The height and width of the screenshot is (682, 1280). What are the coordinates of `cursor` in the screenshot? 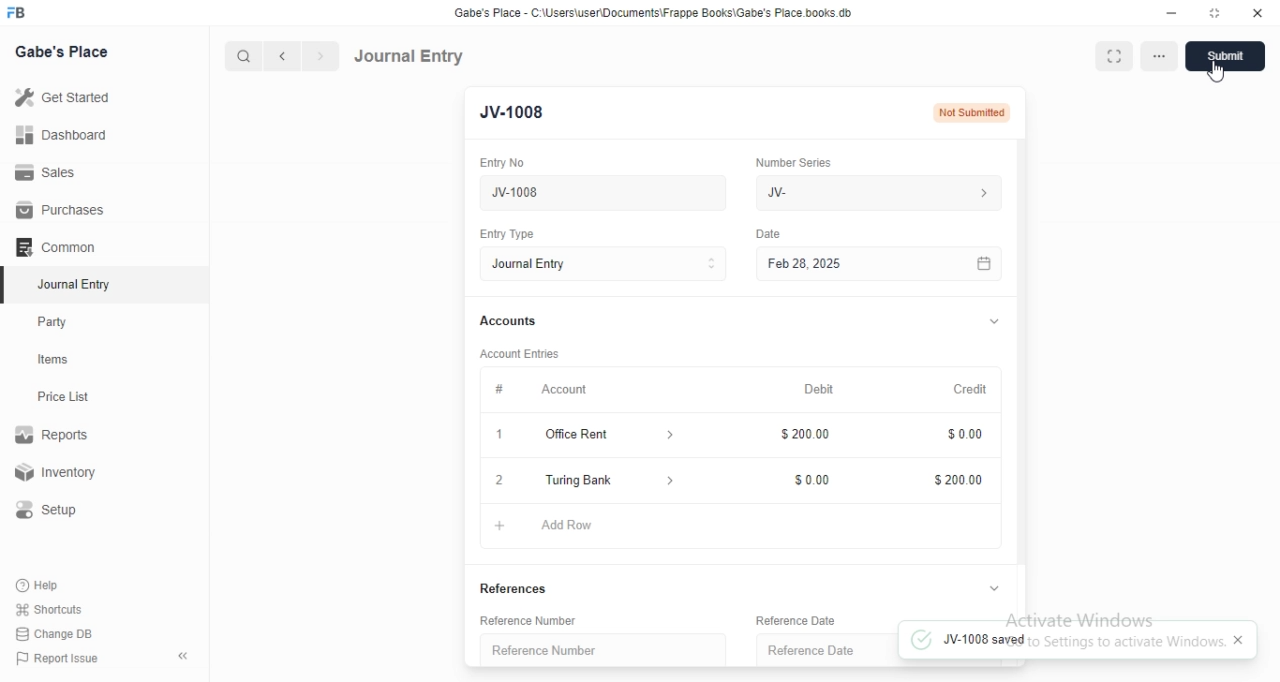 It's located at (1222, 74).